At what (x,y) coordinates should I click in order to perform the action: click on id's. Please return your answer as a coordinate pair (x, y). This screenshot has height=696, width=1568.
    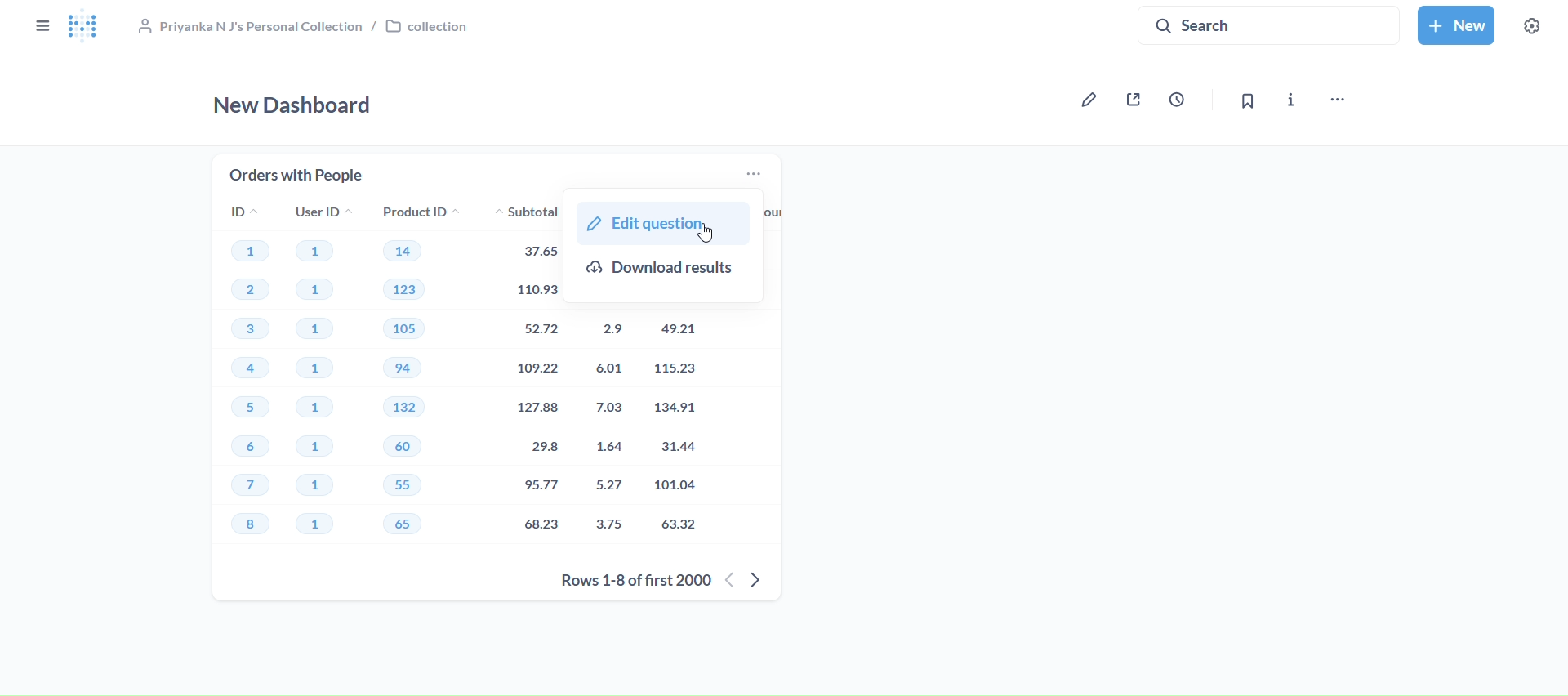
    Looking at the image, I should click on (247, 379).